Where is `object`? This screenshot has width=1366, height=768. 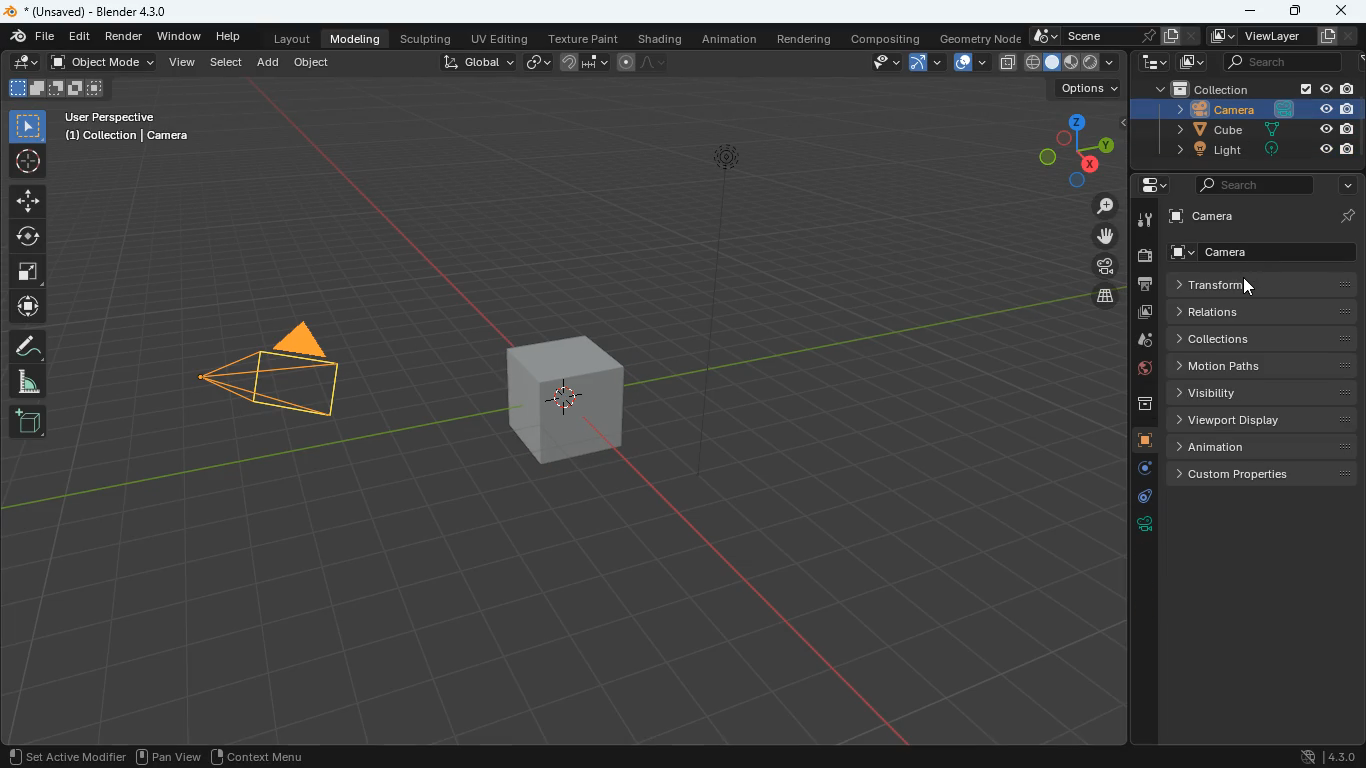
object is located at coordinates (310, 64).